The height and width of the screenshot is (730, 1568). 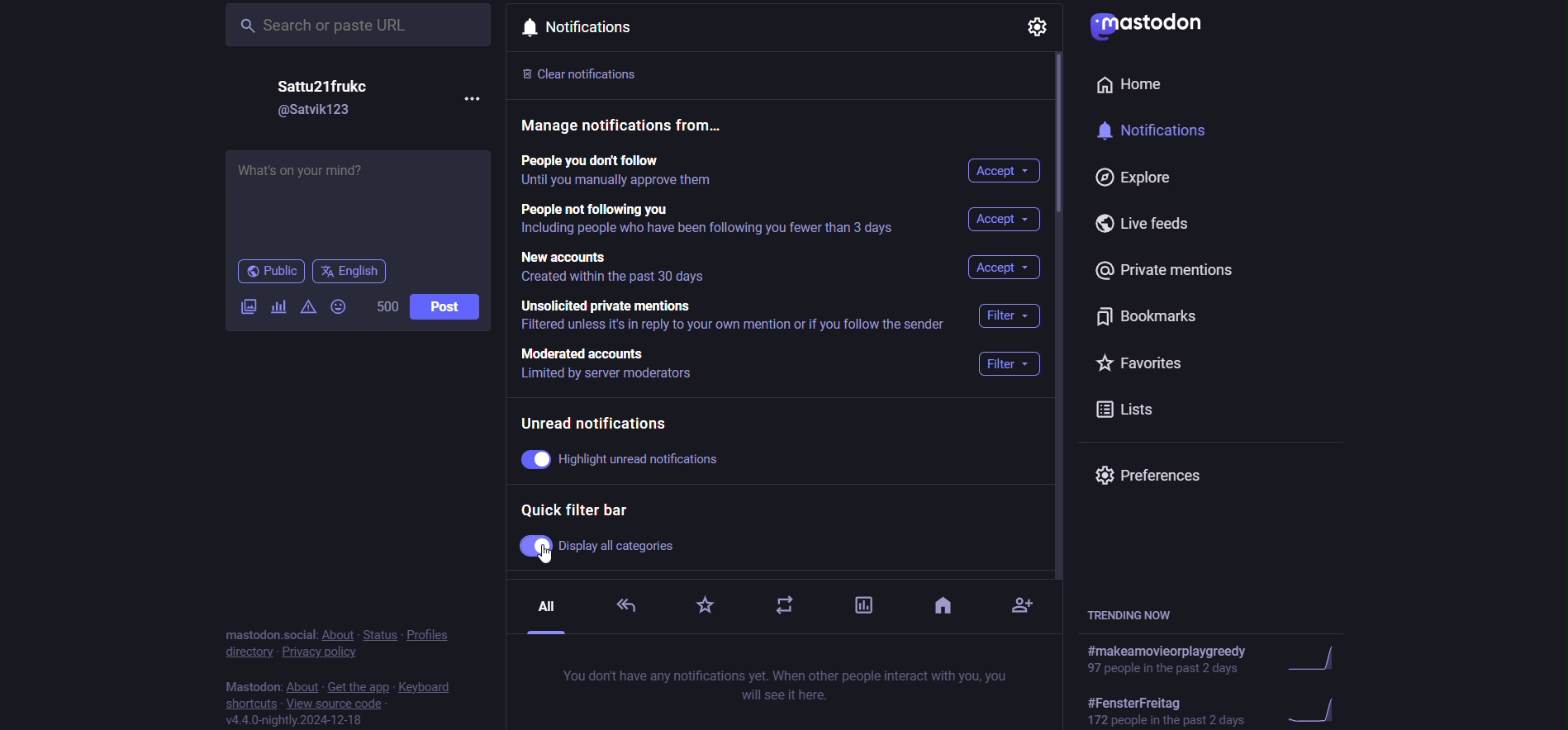 What do you see at coordinates (596, 422) in the screenshot?
I see `unread notification` at bounding box center [596, 422].